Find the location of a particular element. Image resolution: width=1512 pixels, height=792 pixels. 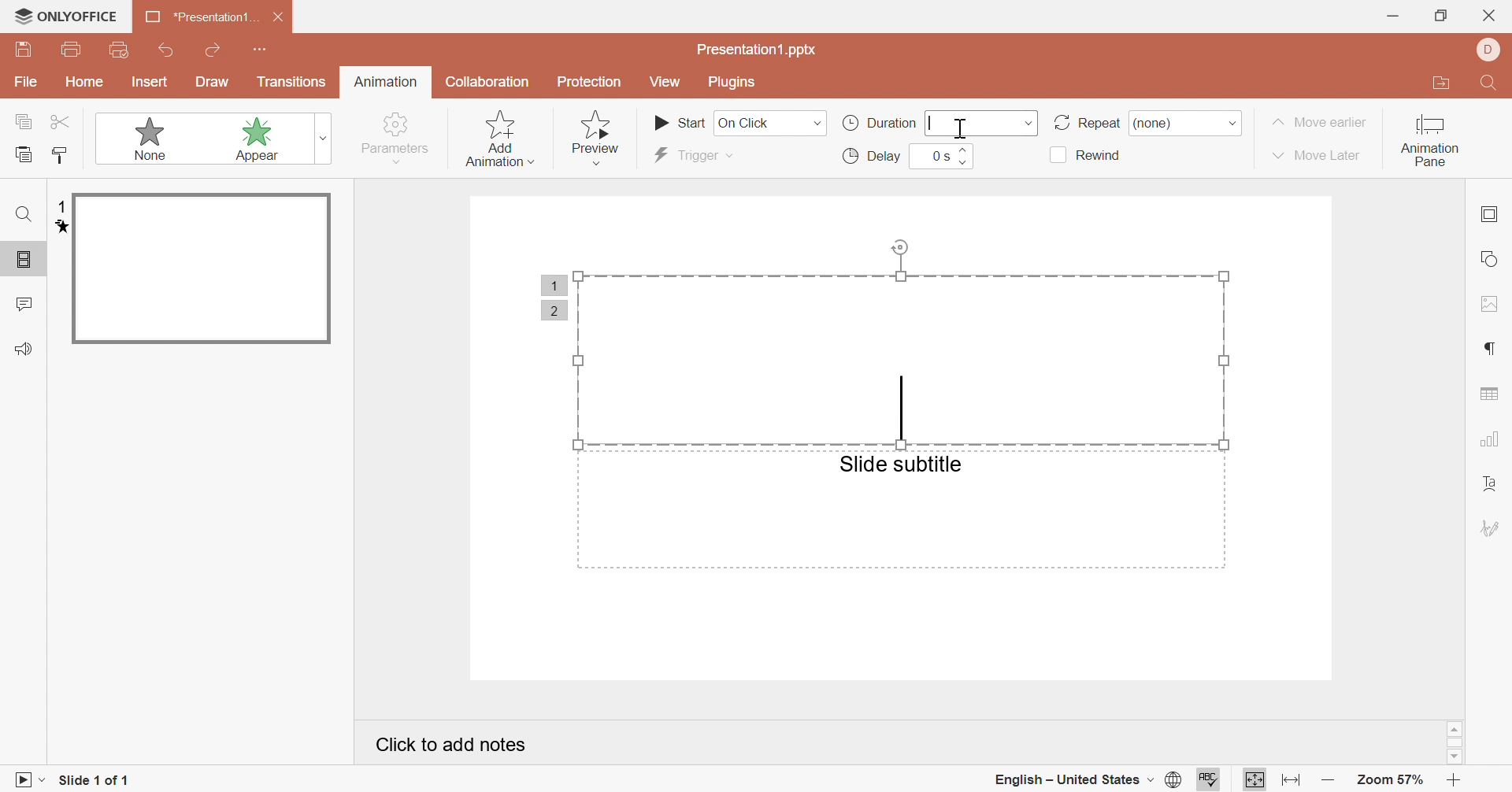

drop down is located at coordinates (1233, 124).